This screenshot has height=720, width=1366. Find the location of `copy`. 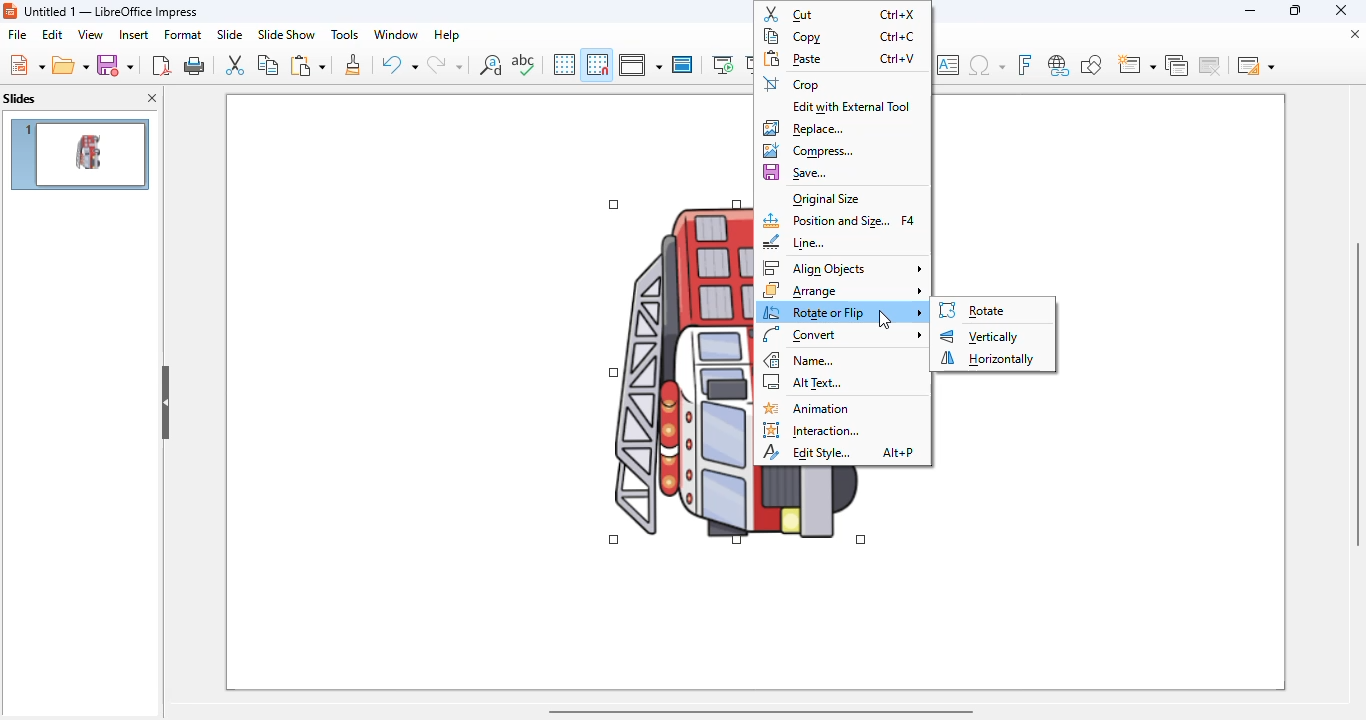

copy is located at coordinates (268, 65).